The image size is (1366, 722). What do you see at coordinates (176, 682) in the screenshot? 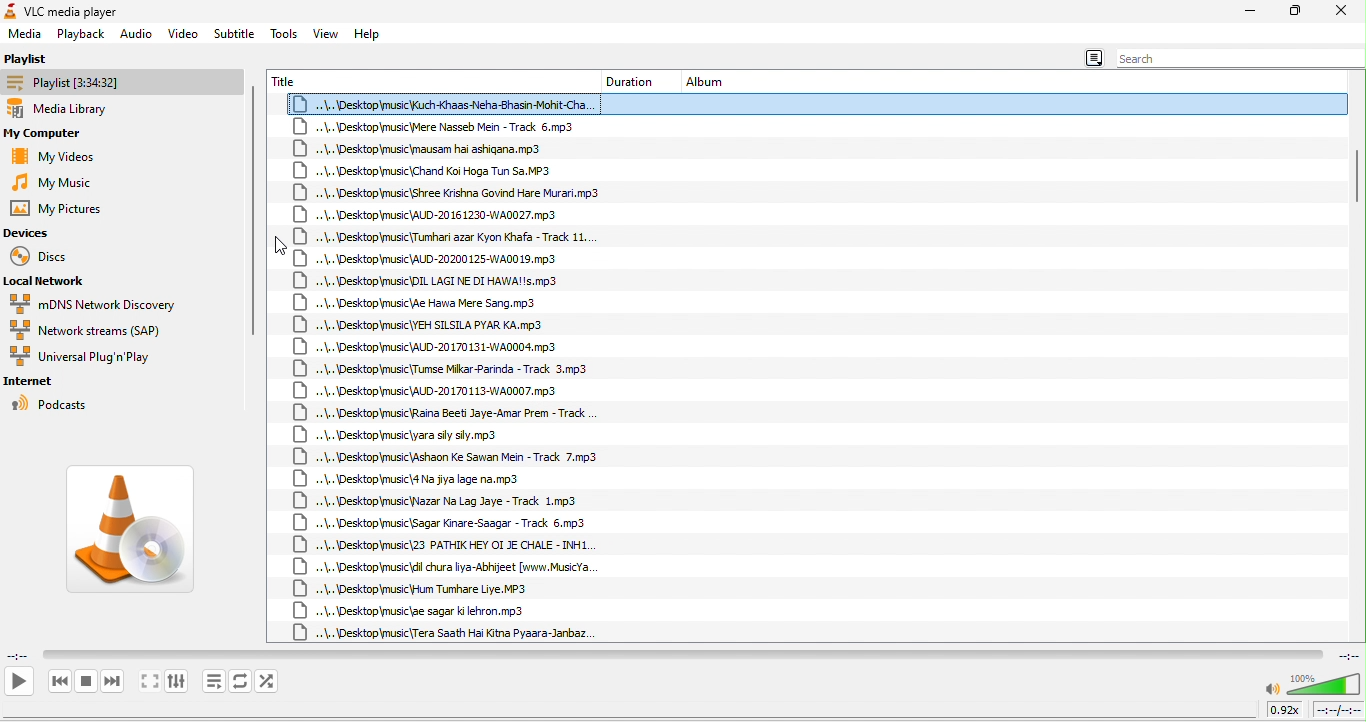
I see `show extended settings` at bounding box center [176, 682].